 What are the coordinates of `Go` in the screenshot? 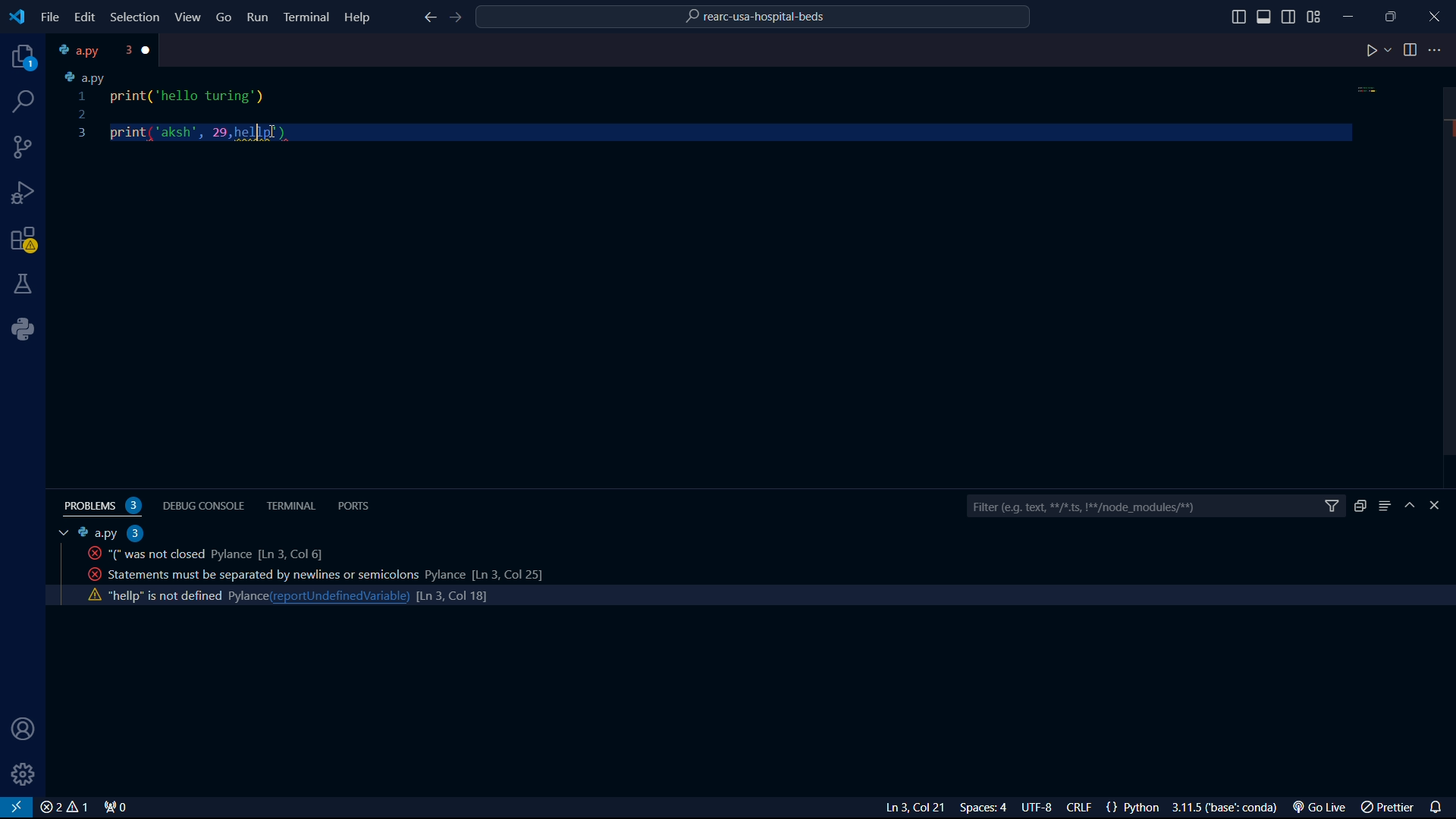 It's located at (224, 16).